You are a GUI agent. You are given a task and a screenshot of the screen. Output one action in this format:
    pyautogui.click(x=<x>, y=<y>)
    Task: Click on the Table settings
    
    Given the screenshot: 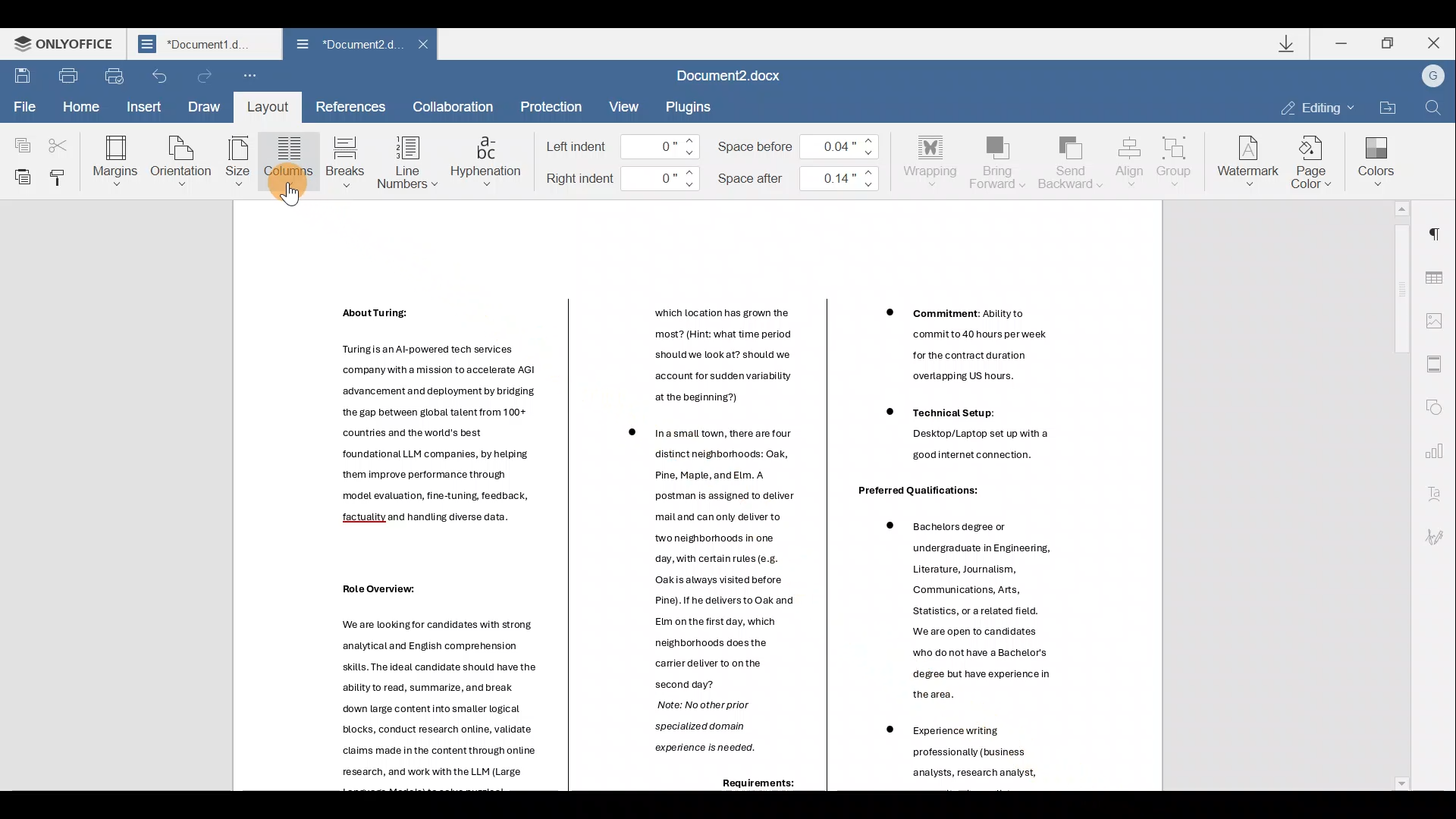 What is the action you would take?
    pyautogui.click(x=1439, y=272)
    